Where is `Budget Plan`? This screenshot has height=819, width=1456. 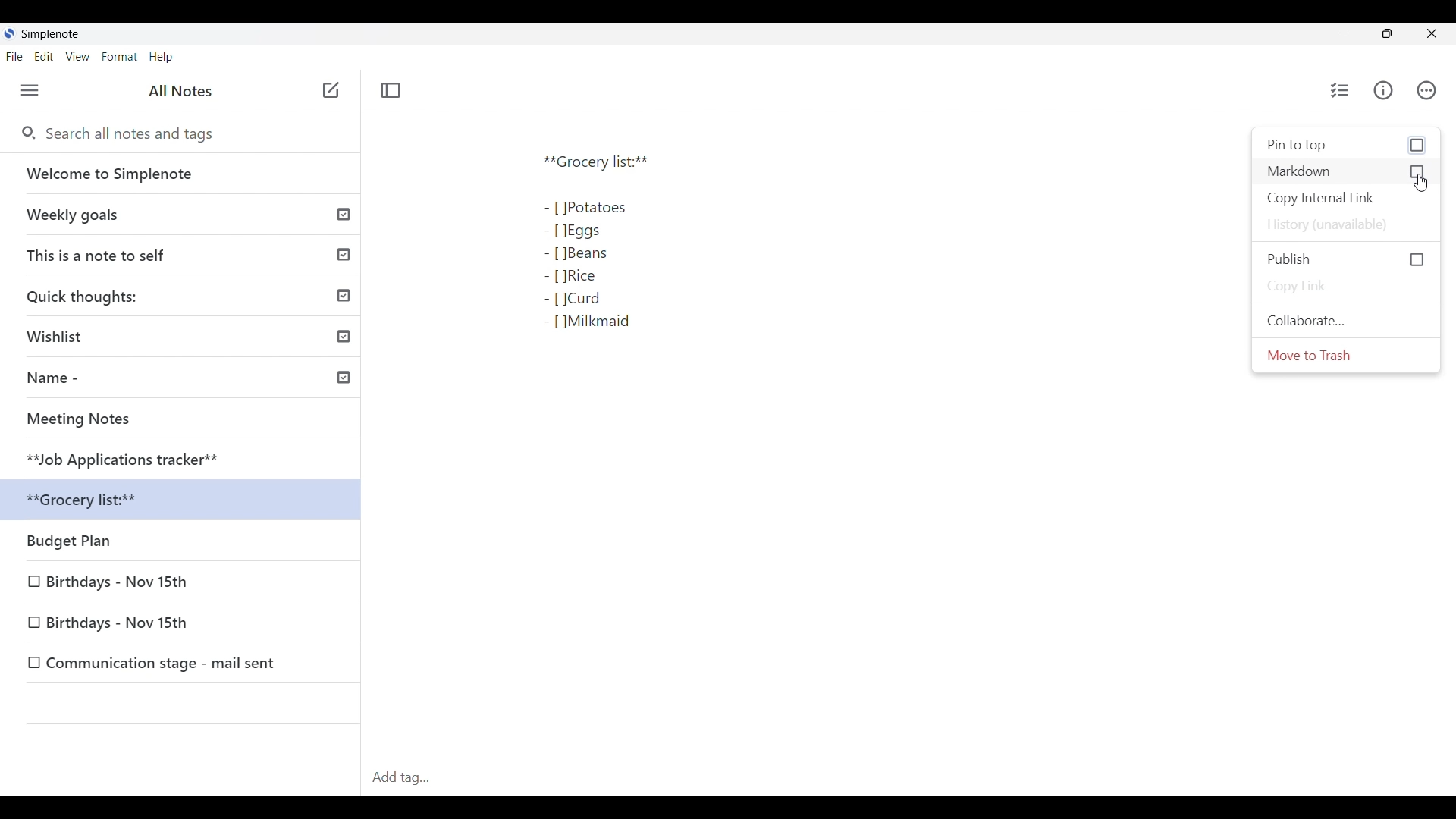 Budget Plan is located at coordinates (185, 543).